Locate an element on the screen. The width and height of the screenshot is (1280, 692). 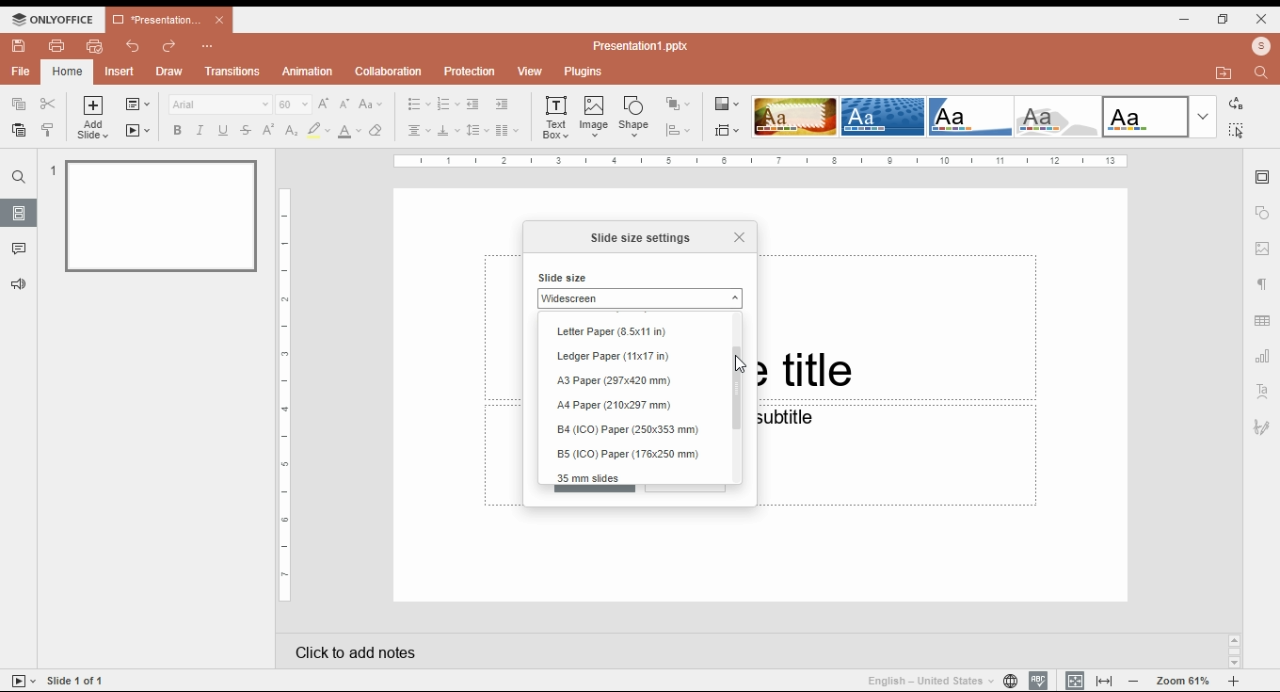
line spacing is located at coordinates (478, 131).